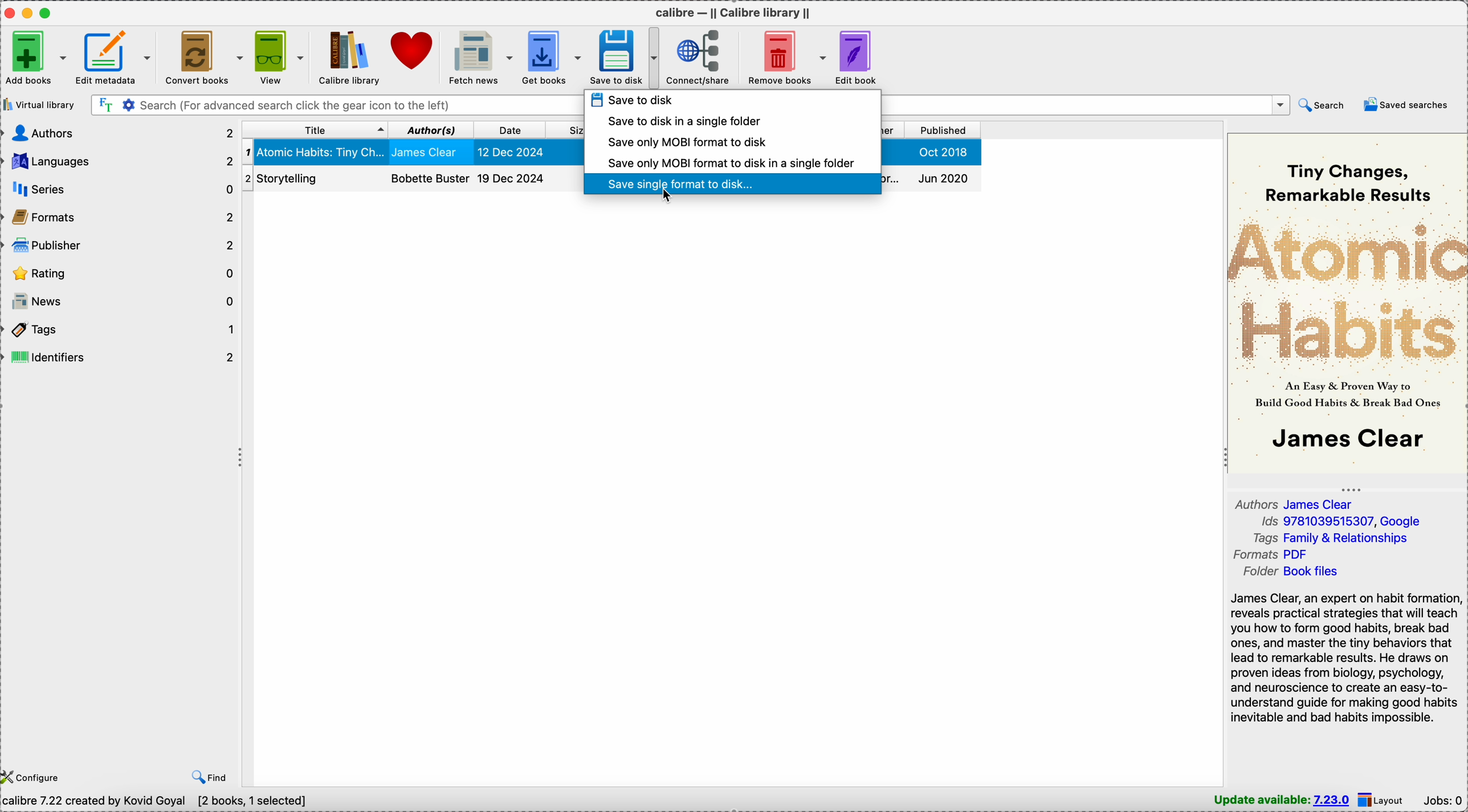 Image resolution: width=1468 pixels, height=812 pixels. I want to click on series, so click(121, 191).